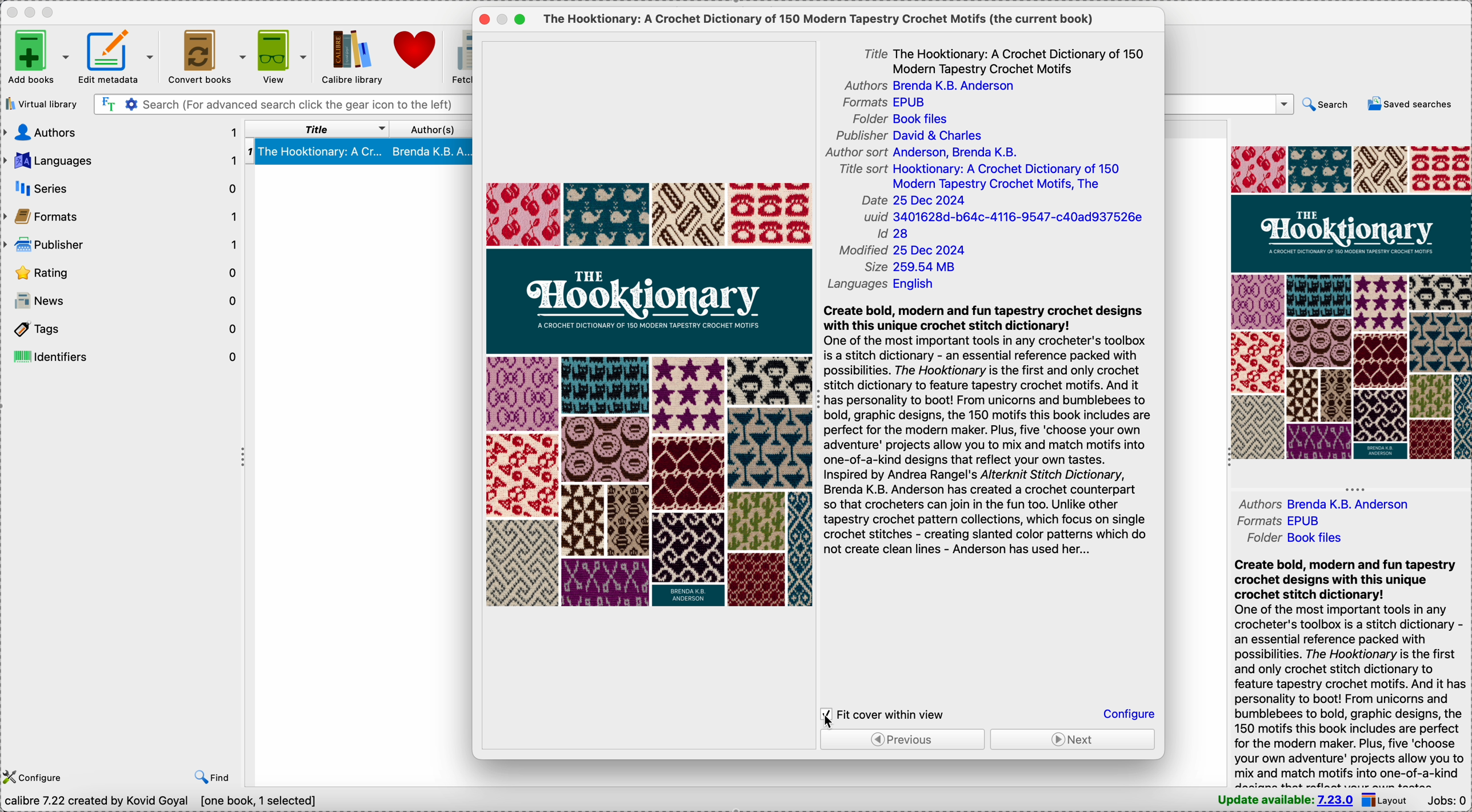 The image size is (1472, 812). Describe the element at coordinates (318, 128) in the screenshot. I see `title` at that location.